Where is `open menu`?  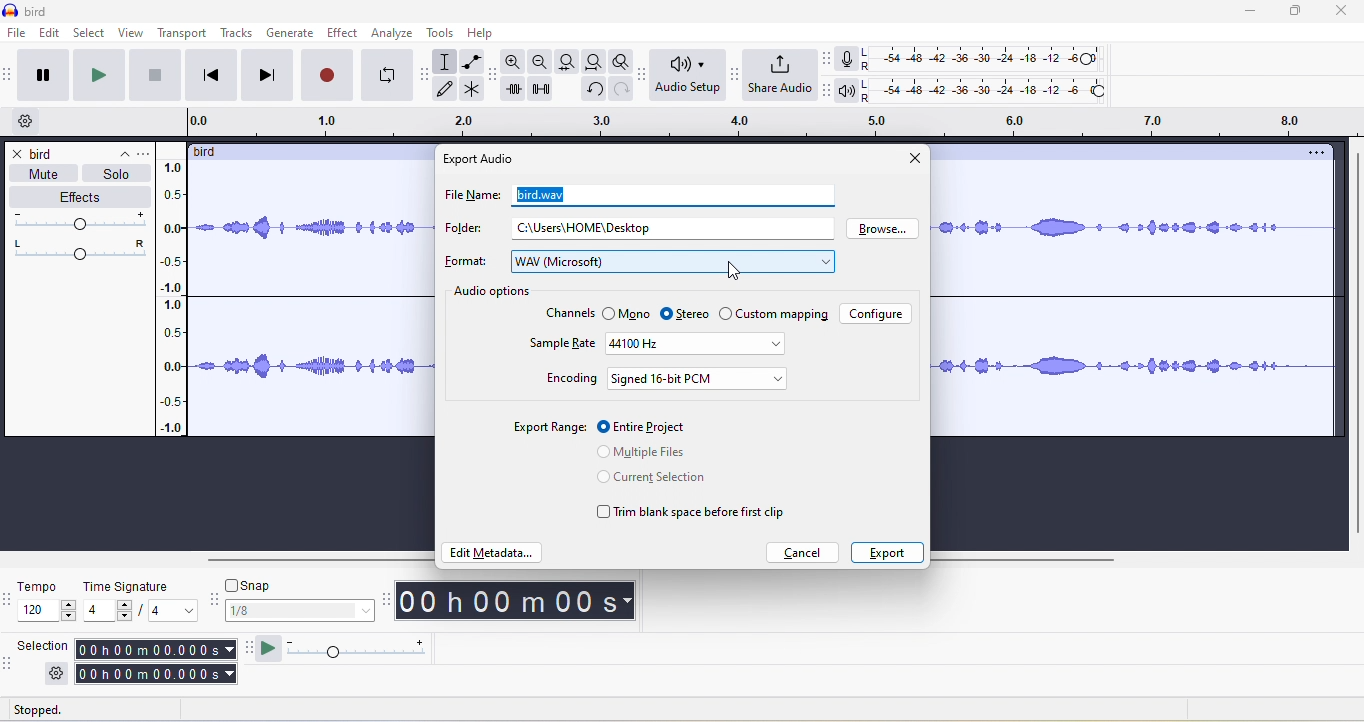 open menu is located at coordinates (148, 152).